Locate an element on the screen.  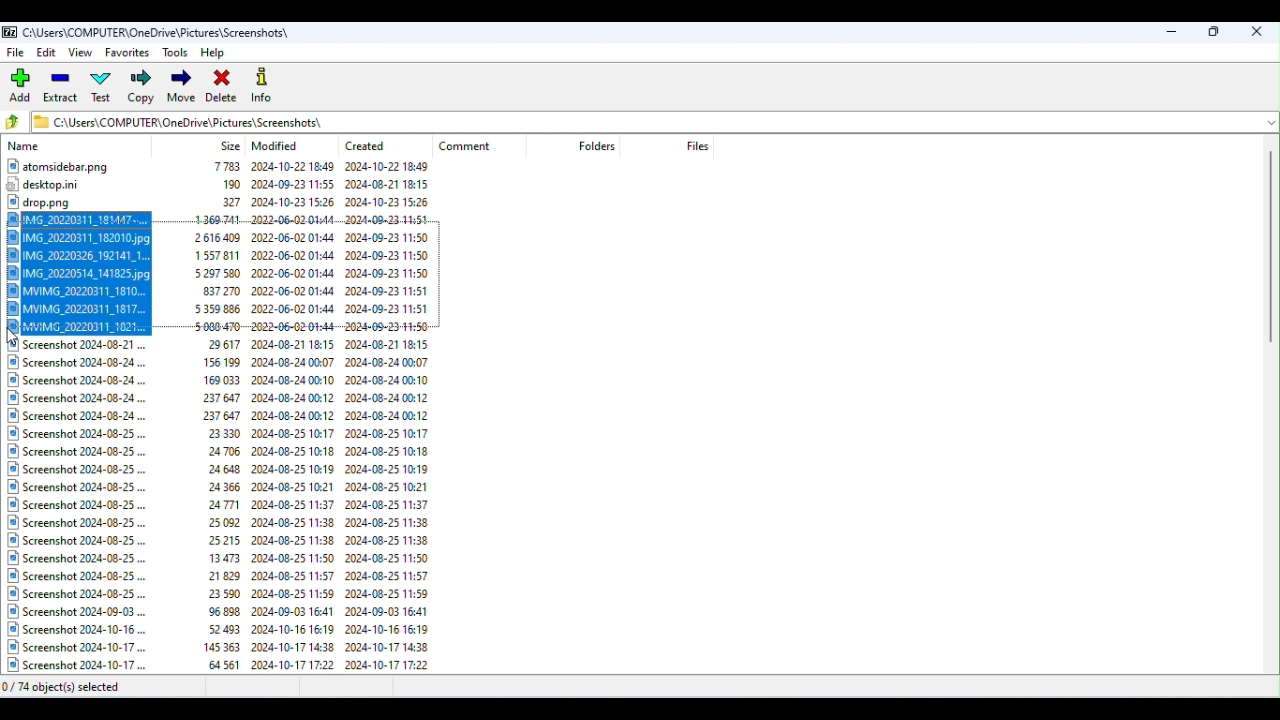
Copy is located at coordinates (142, 88).